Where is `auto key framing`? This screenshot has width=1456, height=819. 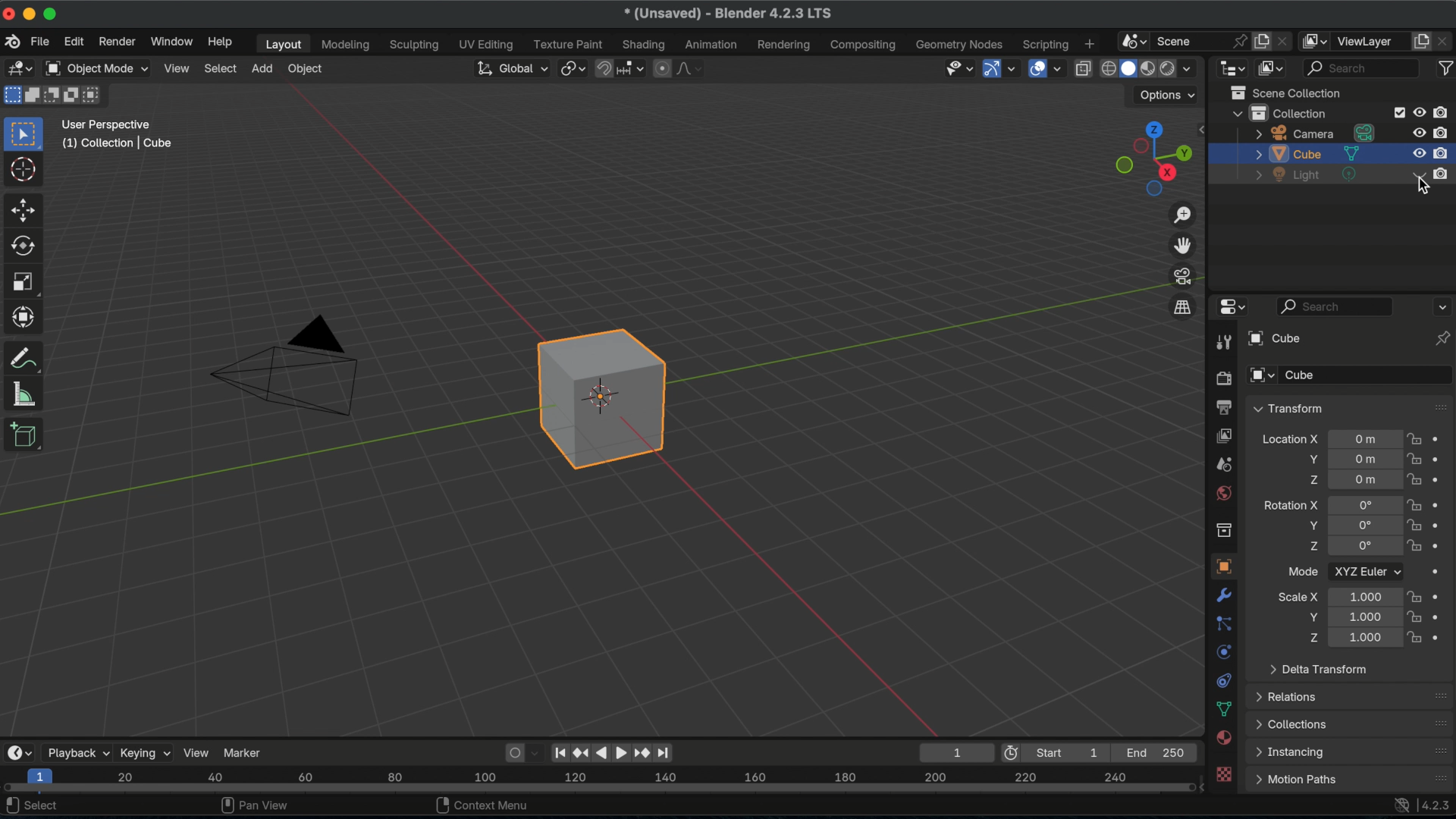
auto key framing is located at coordinates (532, 754).